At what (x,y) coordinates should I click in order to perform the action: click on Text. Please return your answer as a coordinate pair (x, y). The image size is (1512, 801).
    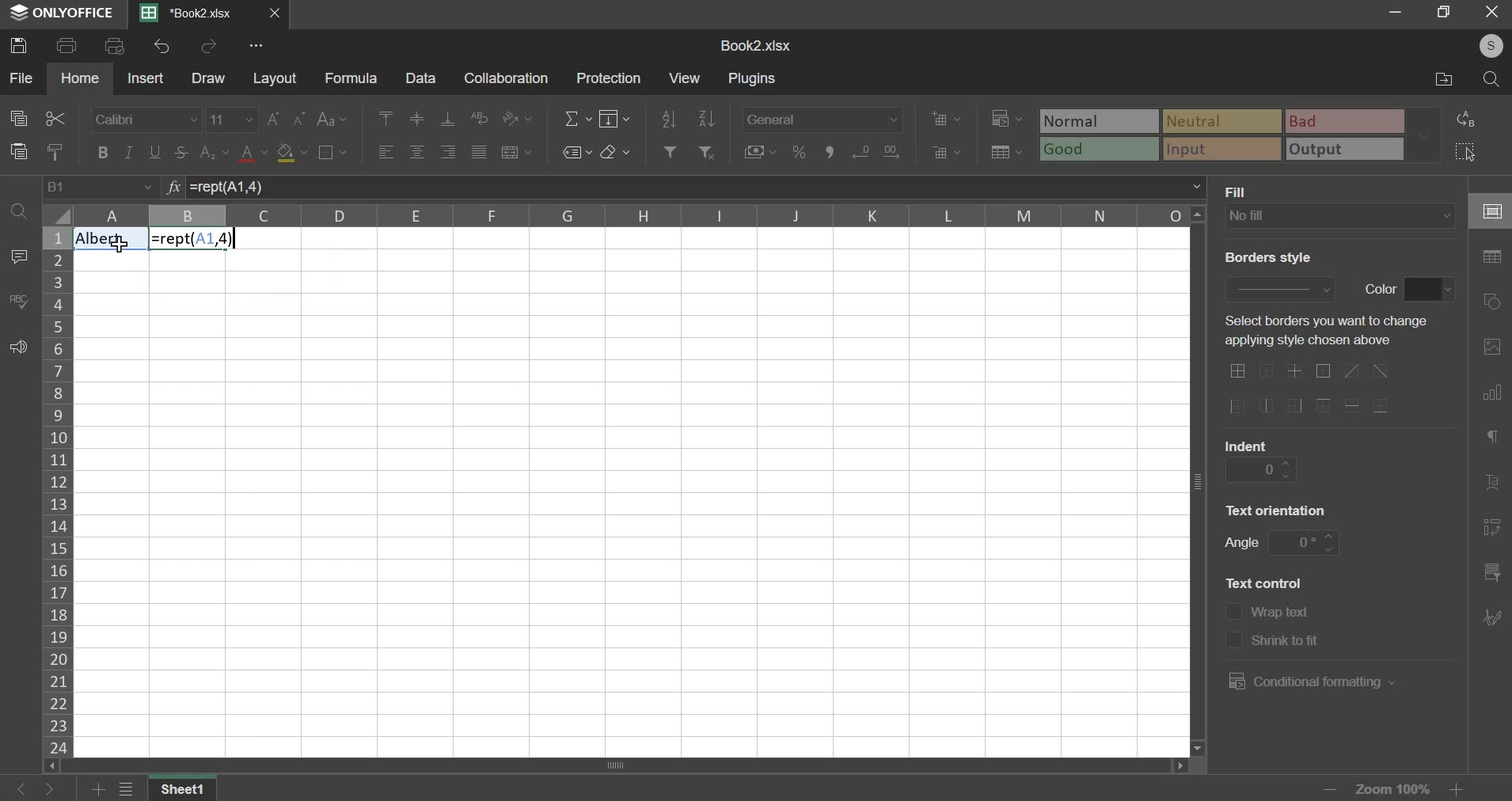
    Looking at the image, I should click on (108, 237).